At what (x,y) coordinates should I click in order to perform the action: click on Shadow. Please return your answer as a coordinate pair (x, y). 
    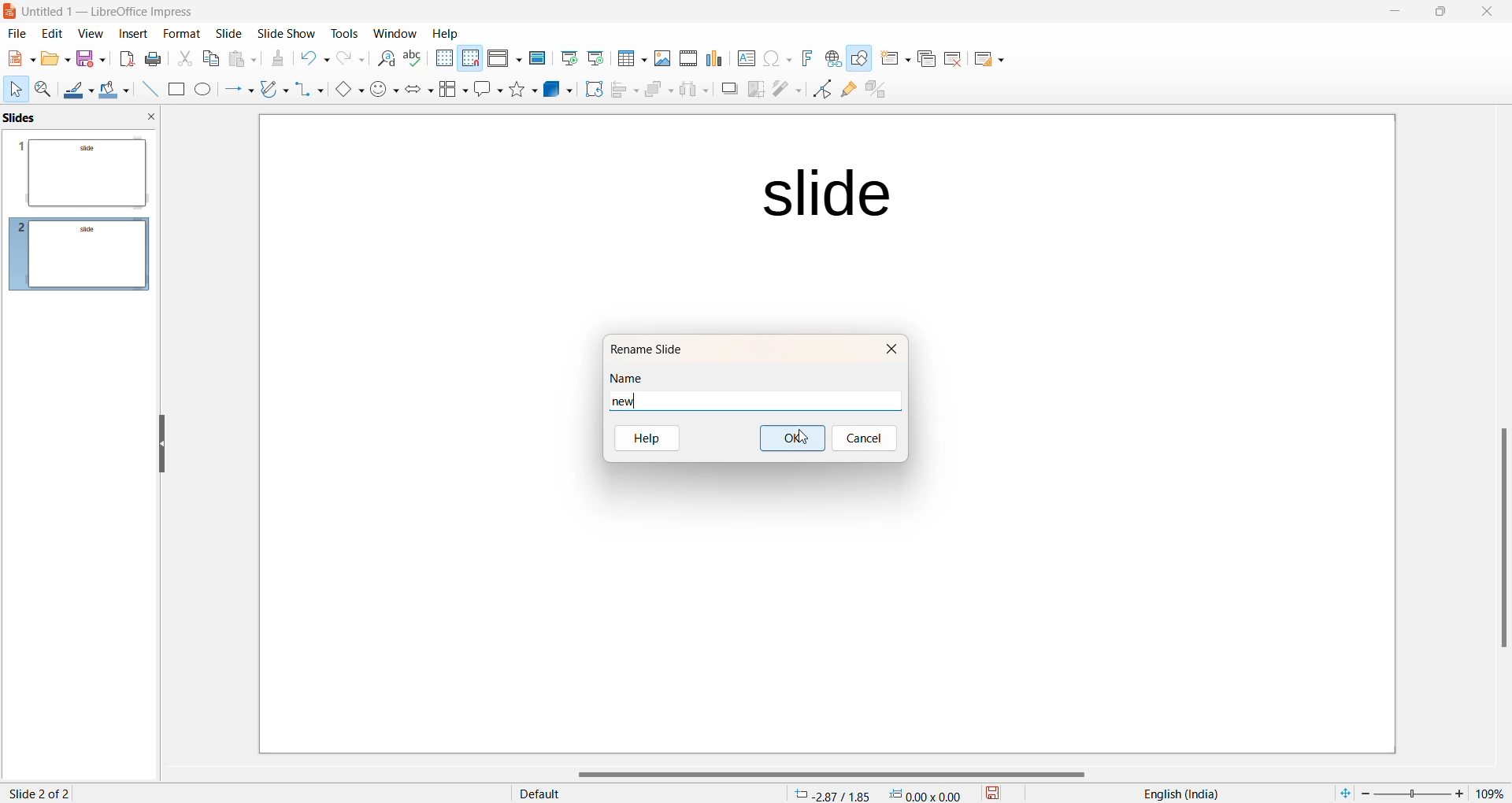
    Looking at the image, I should click on (724, 90).